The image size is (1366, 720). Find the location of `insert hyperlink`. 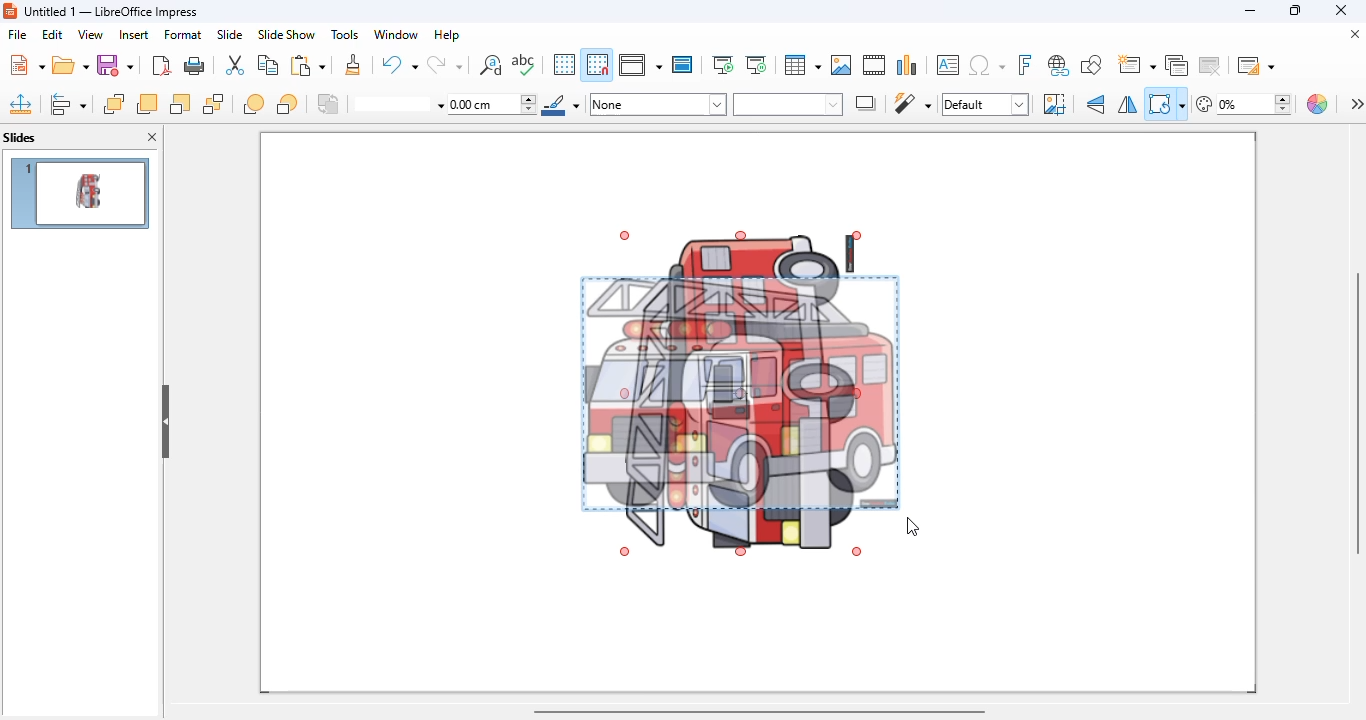

insert hyperlink is located at coordinates (1059, 65).